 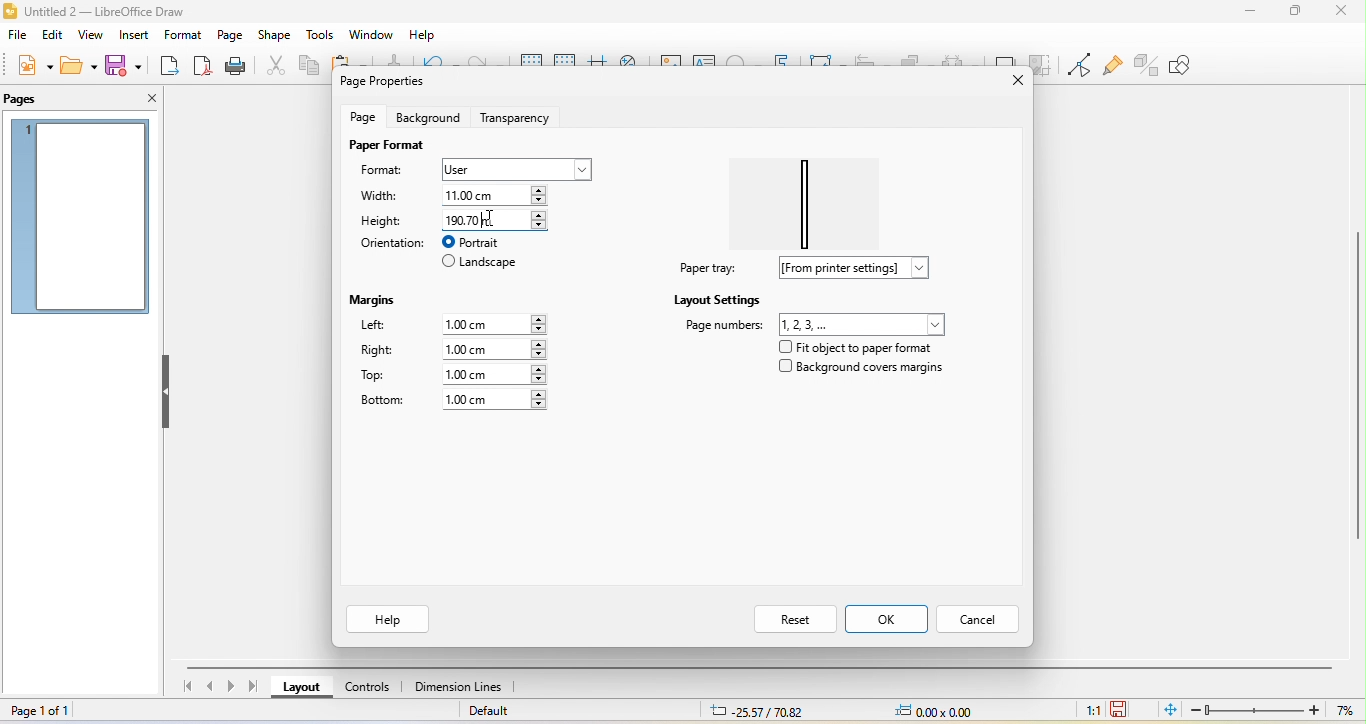 What do you see at coordinates (862, 268) in the screenshot?
I see `from printer settings` at bounding box center [862, 268].